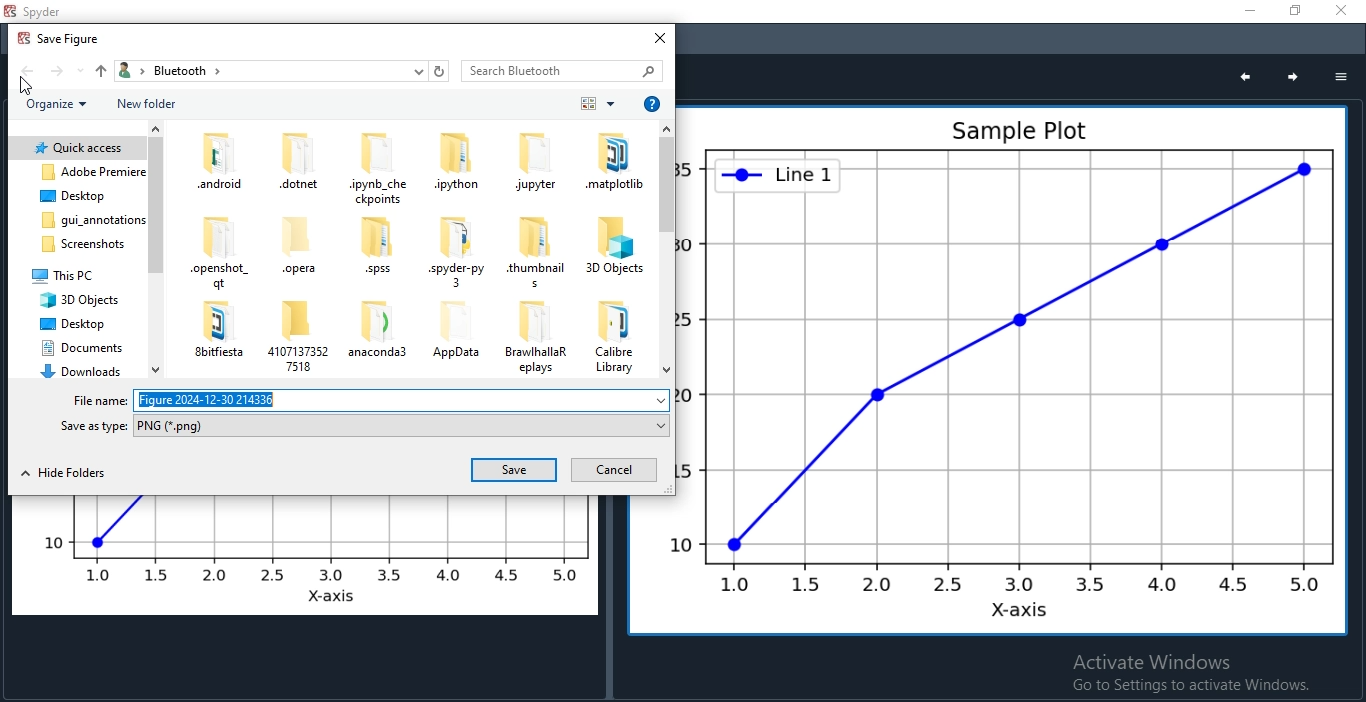  I want to click on breadcrumb, so click(281, 71).